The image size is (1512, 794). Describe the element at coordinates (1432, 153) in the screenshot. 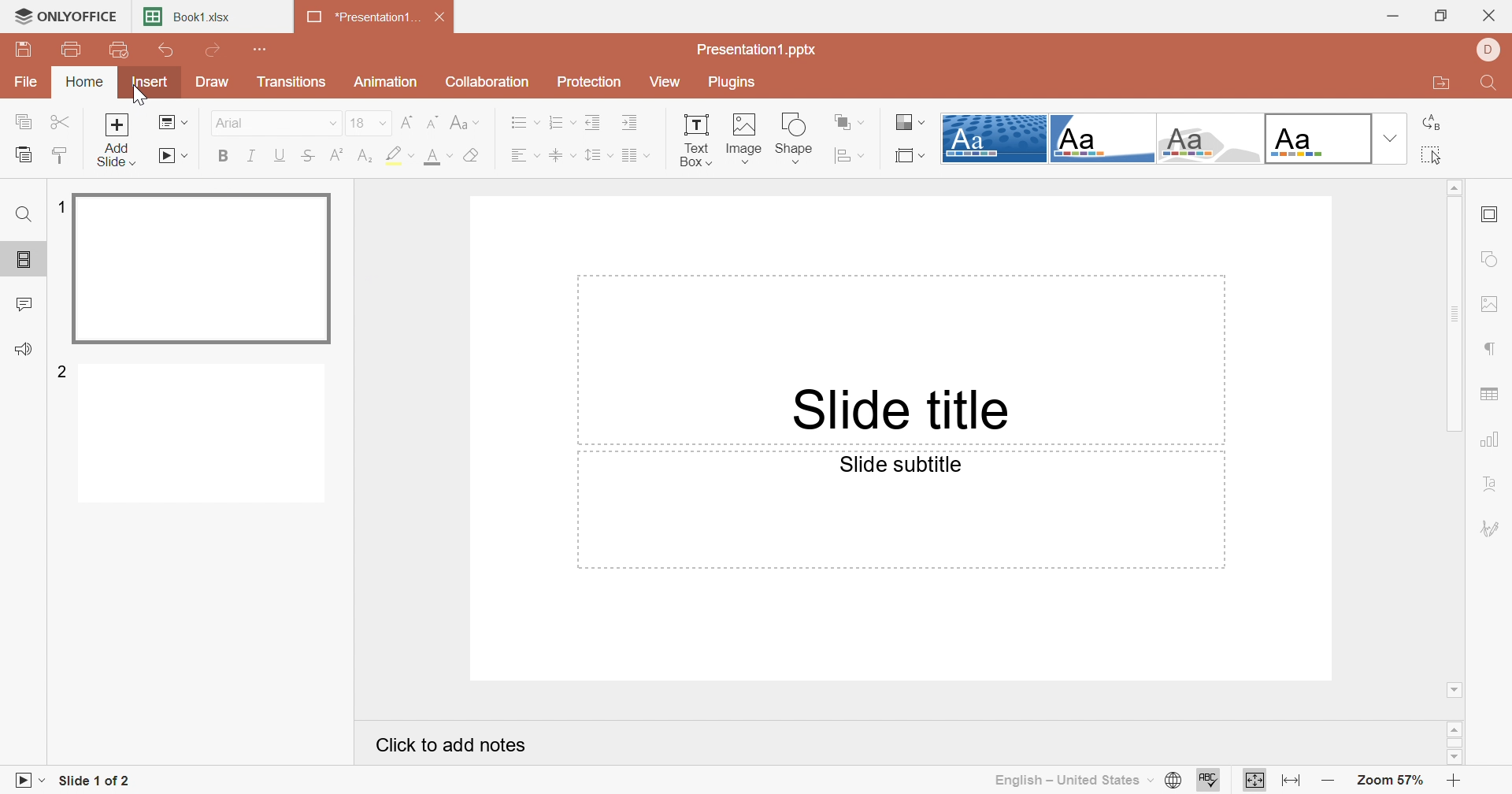

I see `Select all` at that location.